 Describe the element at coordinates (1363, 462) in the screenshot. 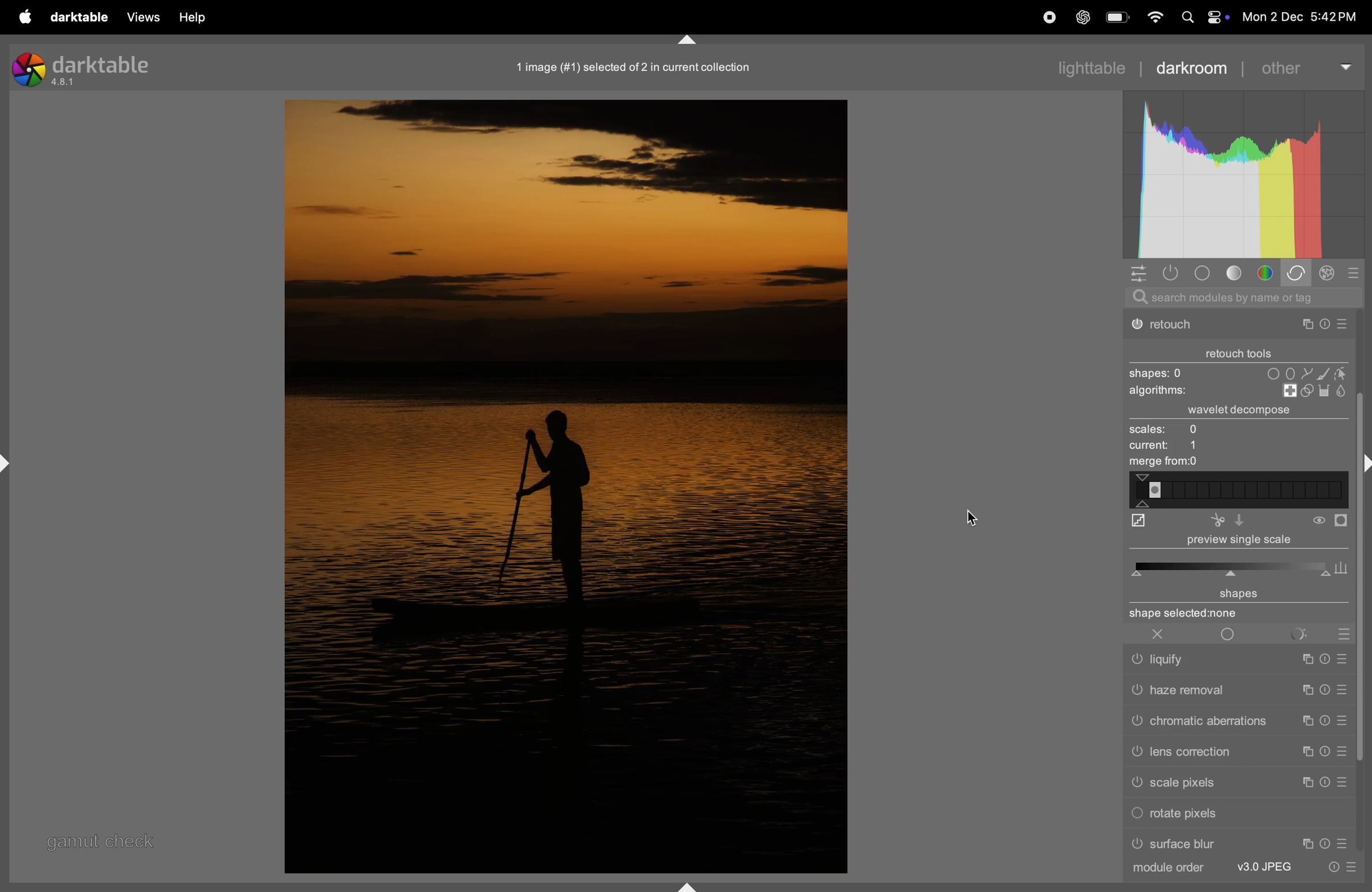

I see `collapse` at that location.